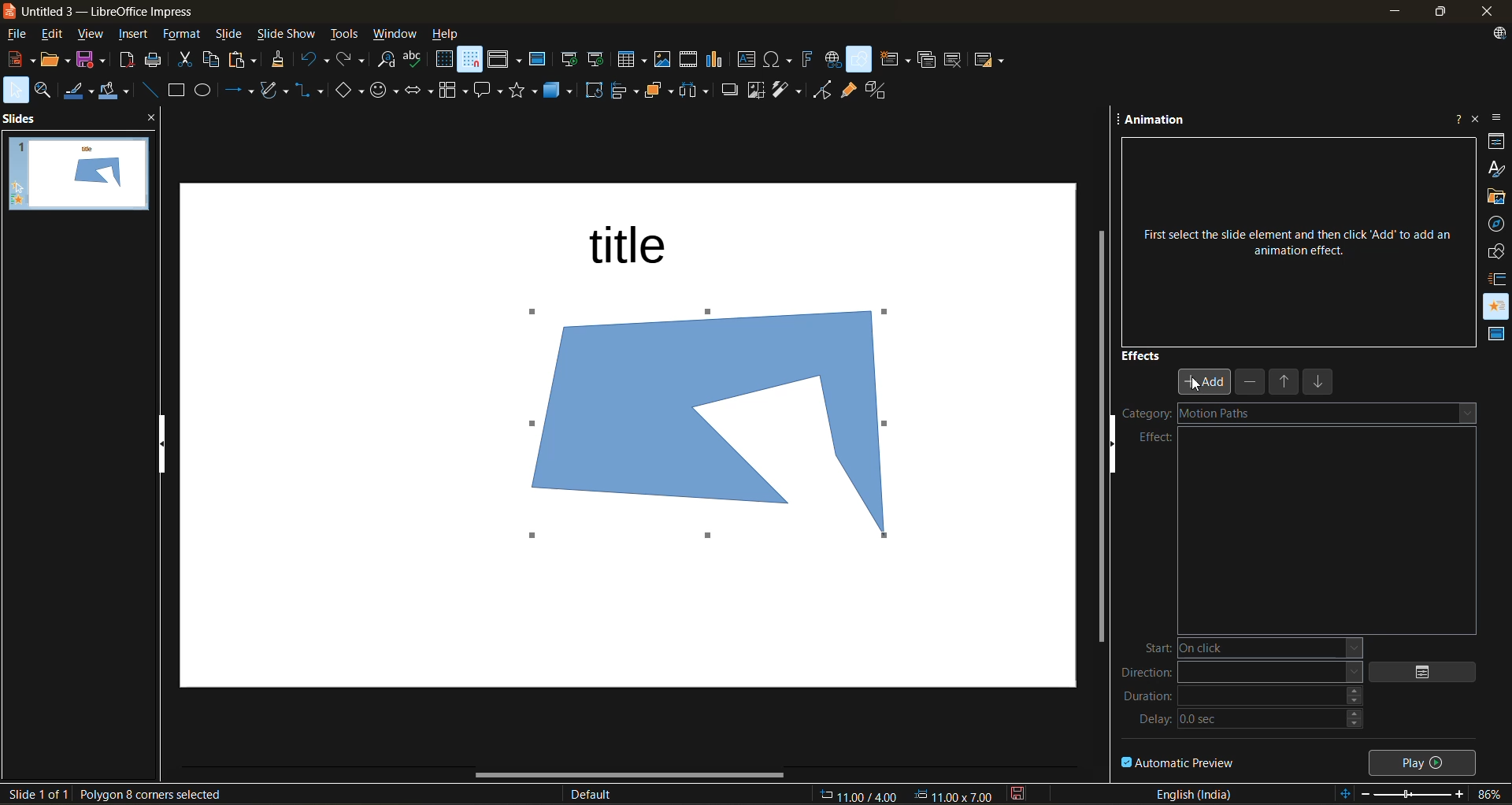 This screenshot has width=1512, height=805. I want to click on text language, so click(1203, 793).